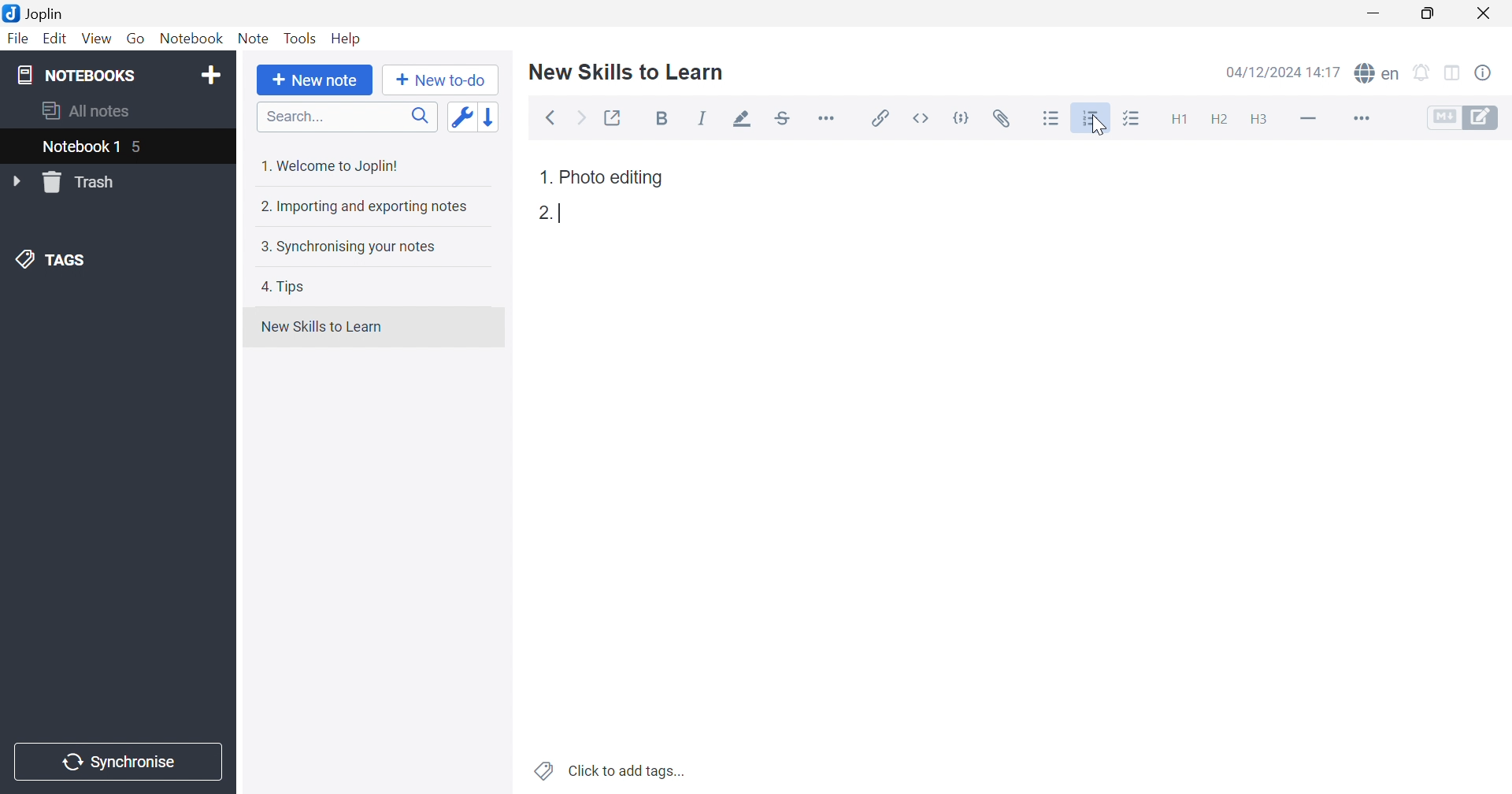 Image resolution: width=1512 pixels, height=794 pixels. I want to click on More..., so click(826, 117).